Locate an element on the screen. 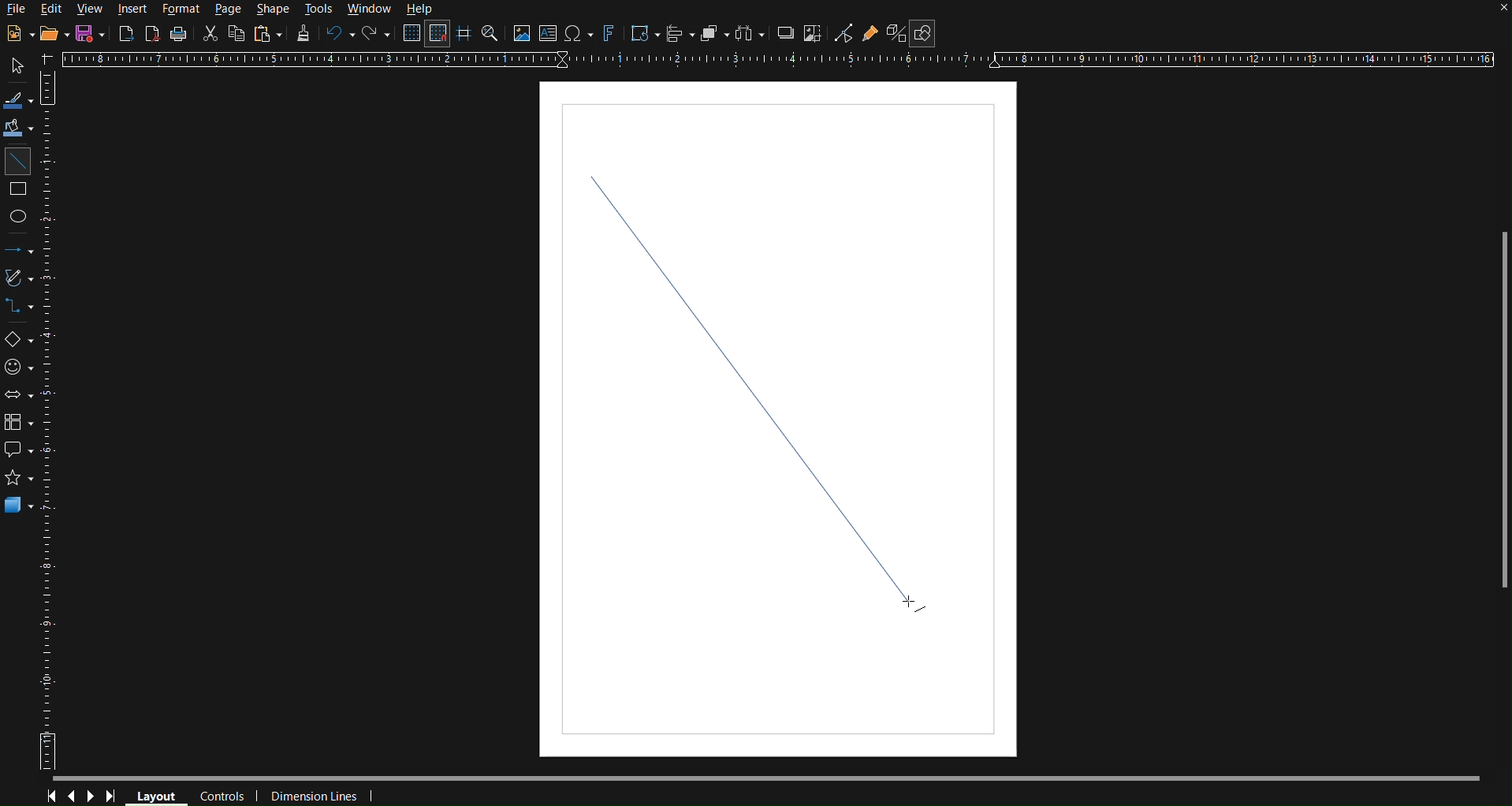  Insert special characters is located at coordinates (579, 34).